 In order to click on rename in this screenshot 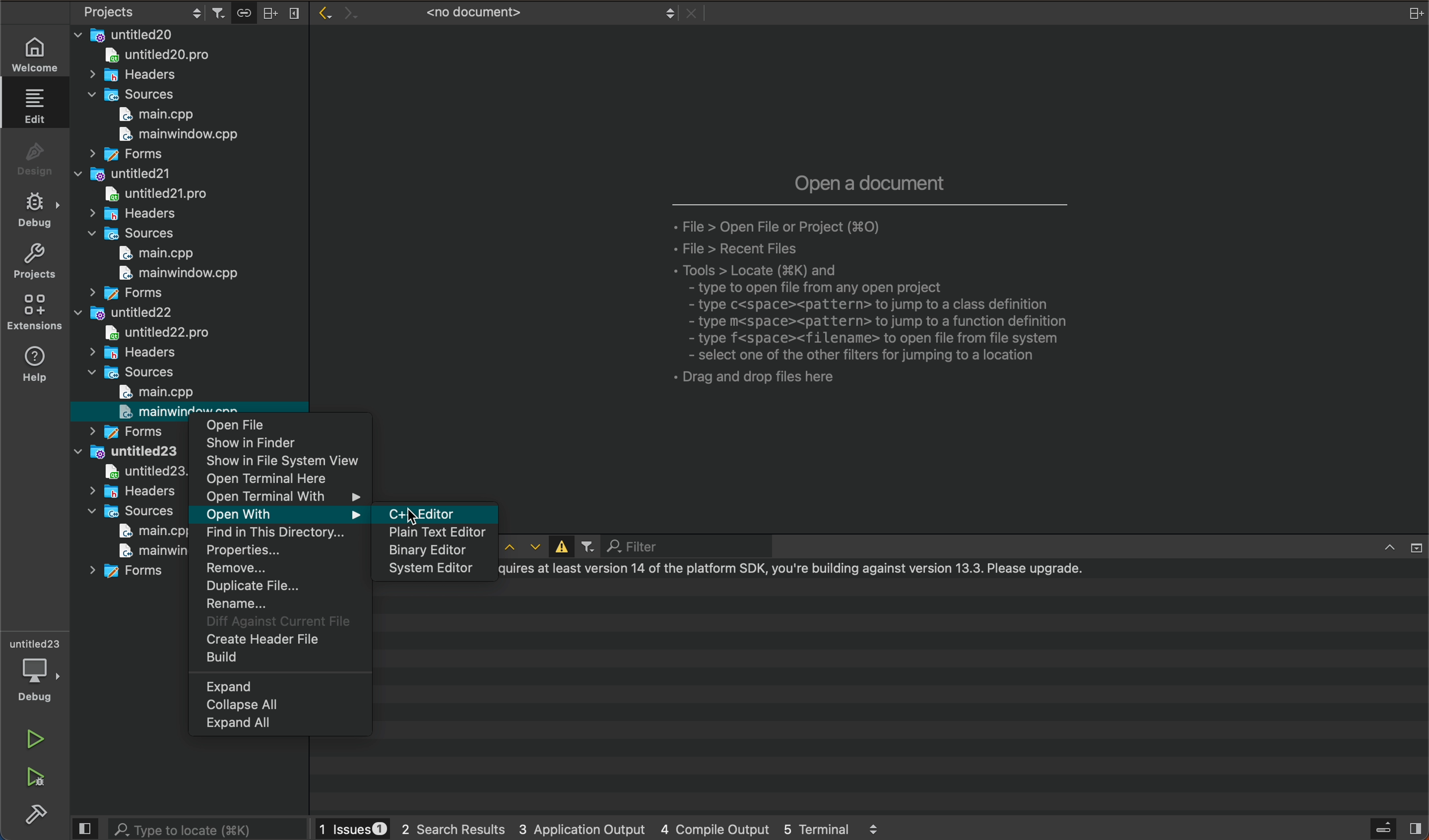, I will do `click(280, 604)`.